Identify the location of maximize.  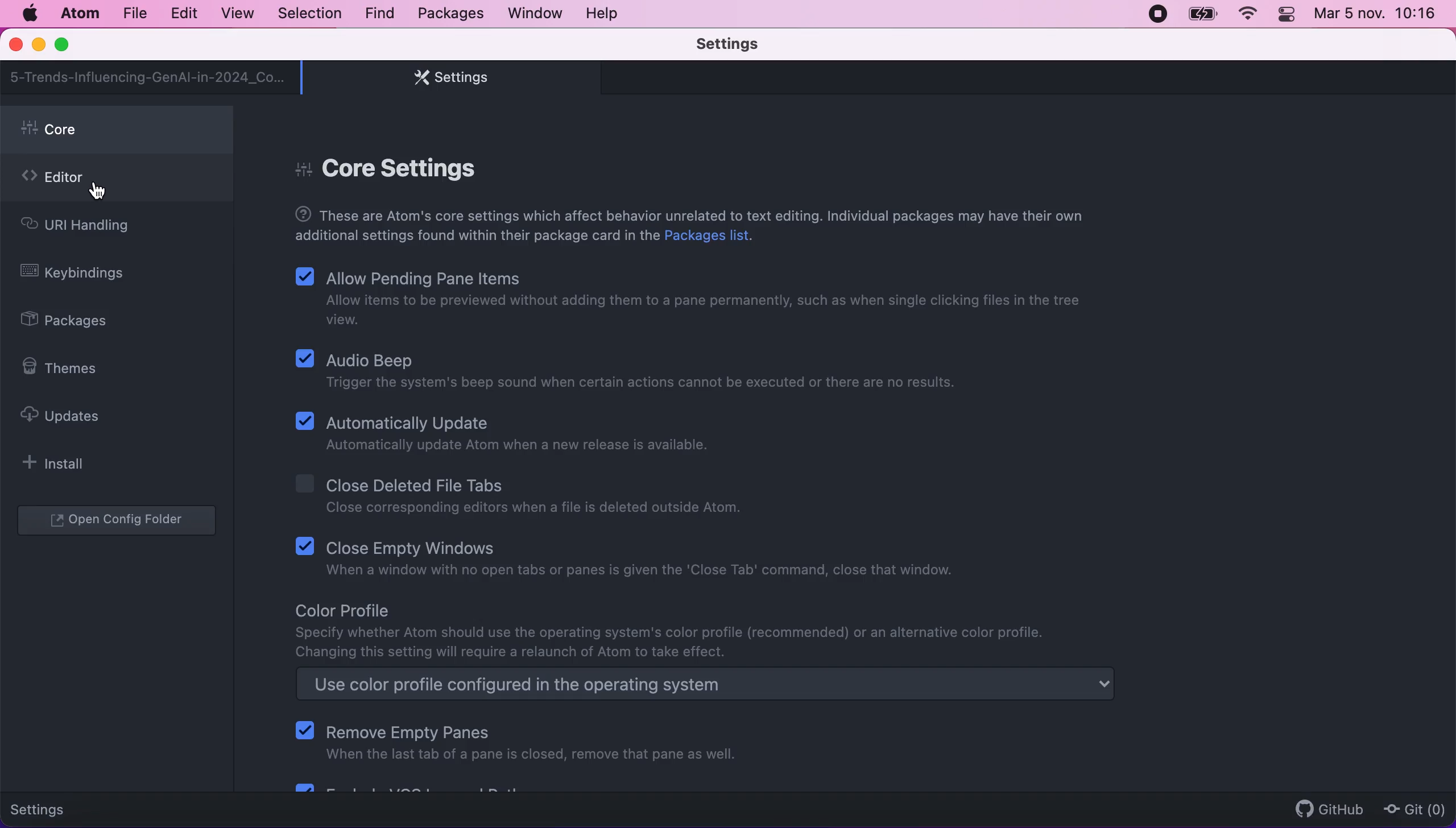
(67, 45).